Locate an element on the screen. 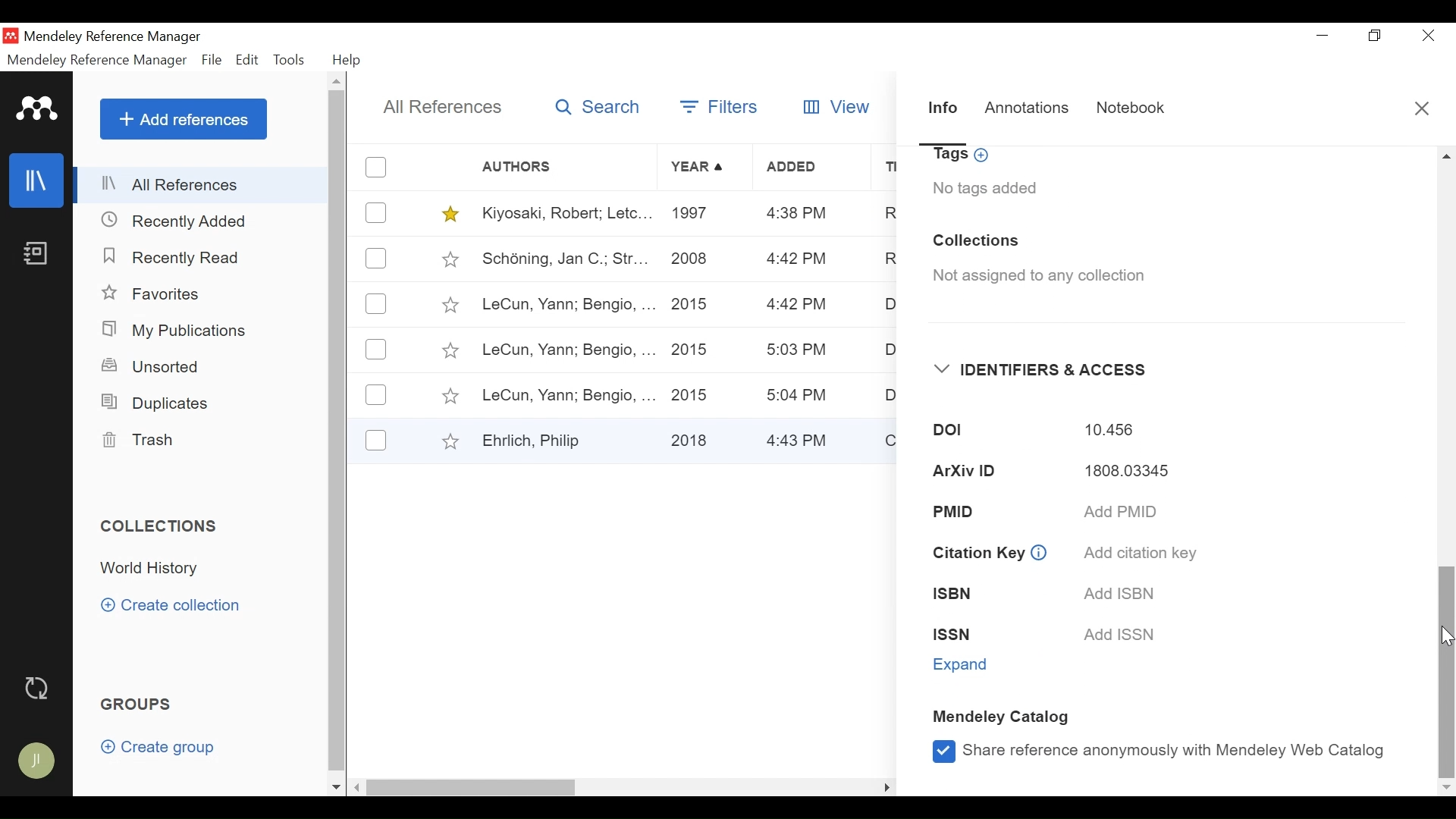  Recently Added is located at coordinates (175, 256).